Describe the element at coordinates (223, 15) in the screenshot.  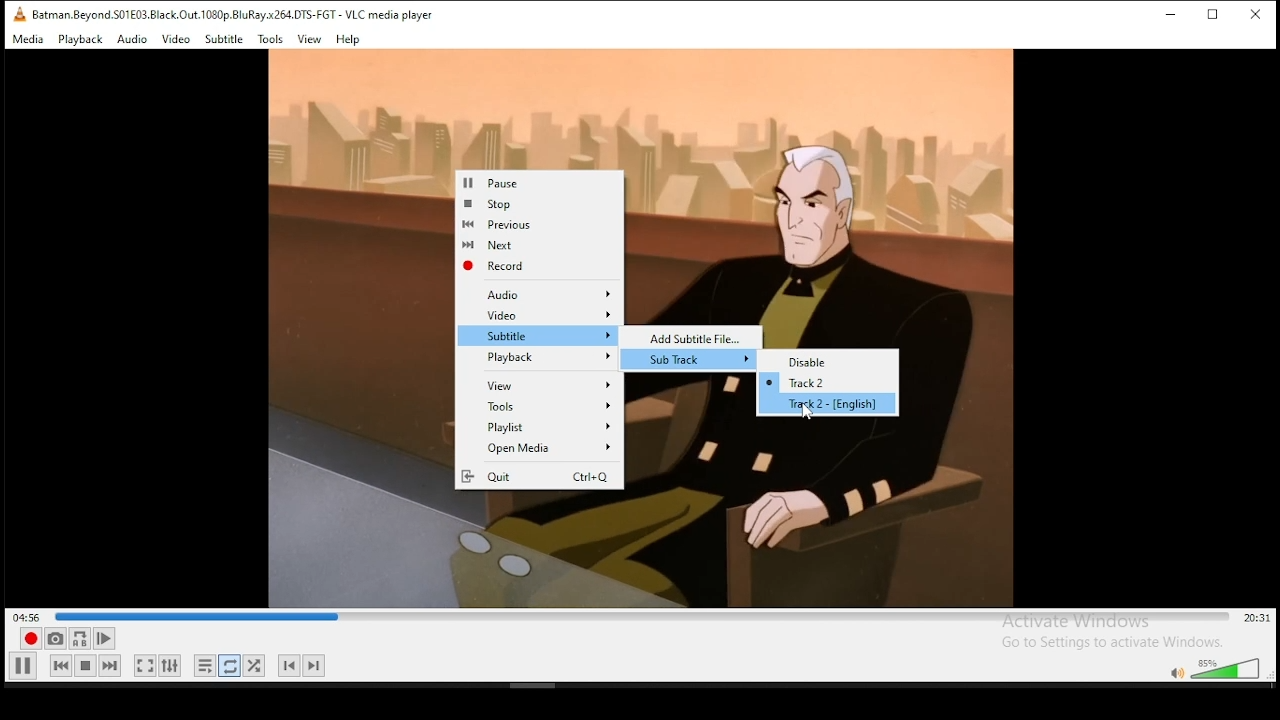
I see `Batman.Beyond.S01E03.Black.Out.1080p.BluRay.x264.0TS-FGT - VLC media player` at that location.